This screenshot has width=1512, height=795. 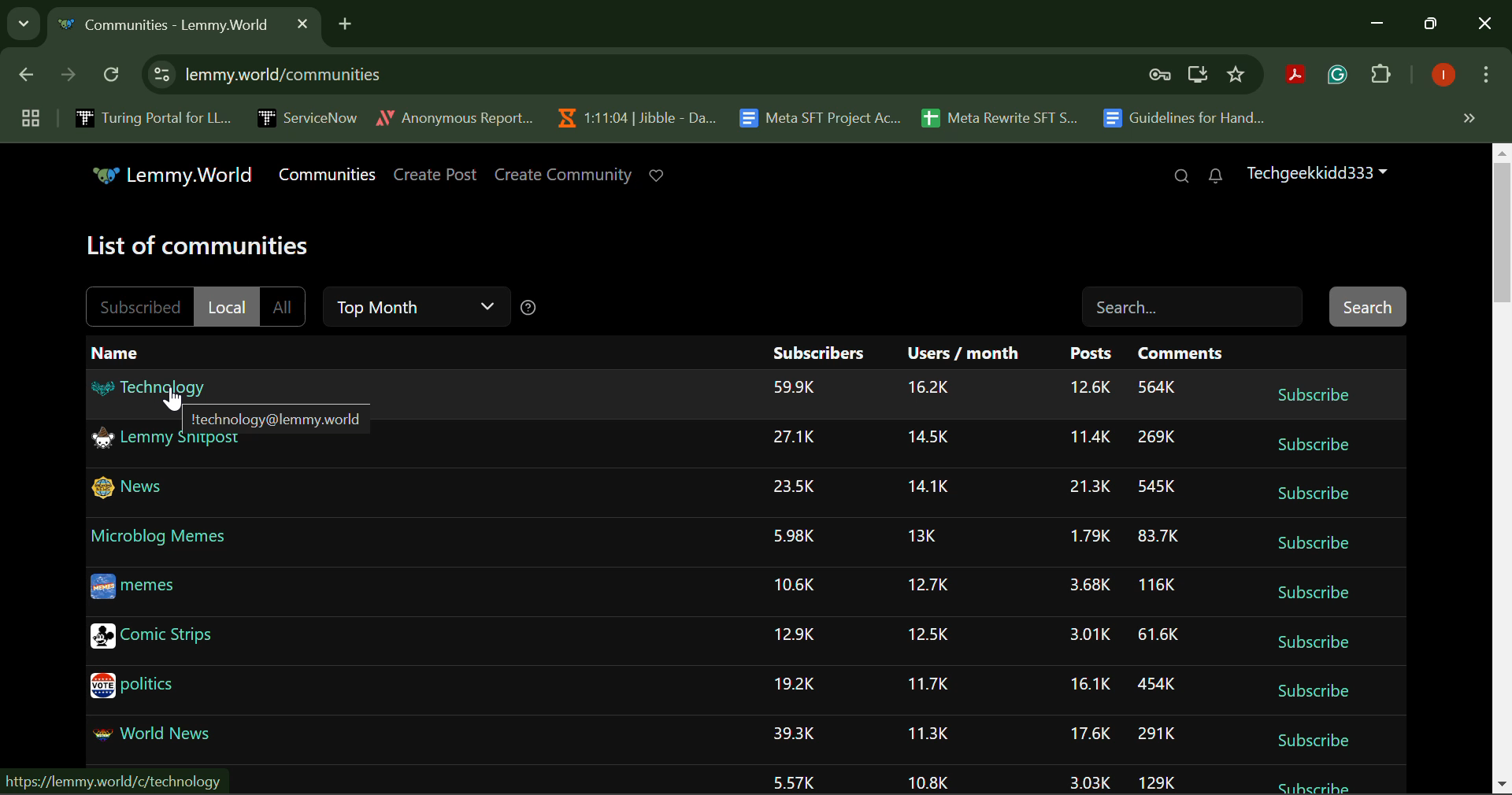 What do you see at coordinates (20, 21) in the screenshot?
I see `Search Tabs` at bounding box center [20, 21].